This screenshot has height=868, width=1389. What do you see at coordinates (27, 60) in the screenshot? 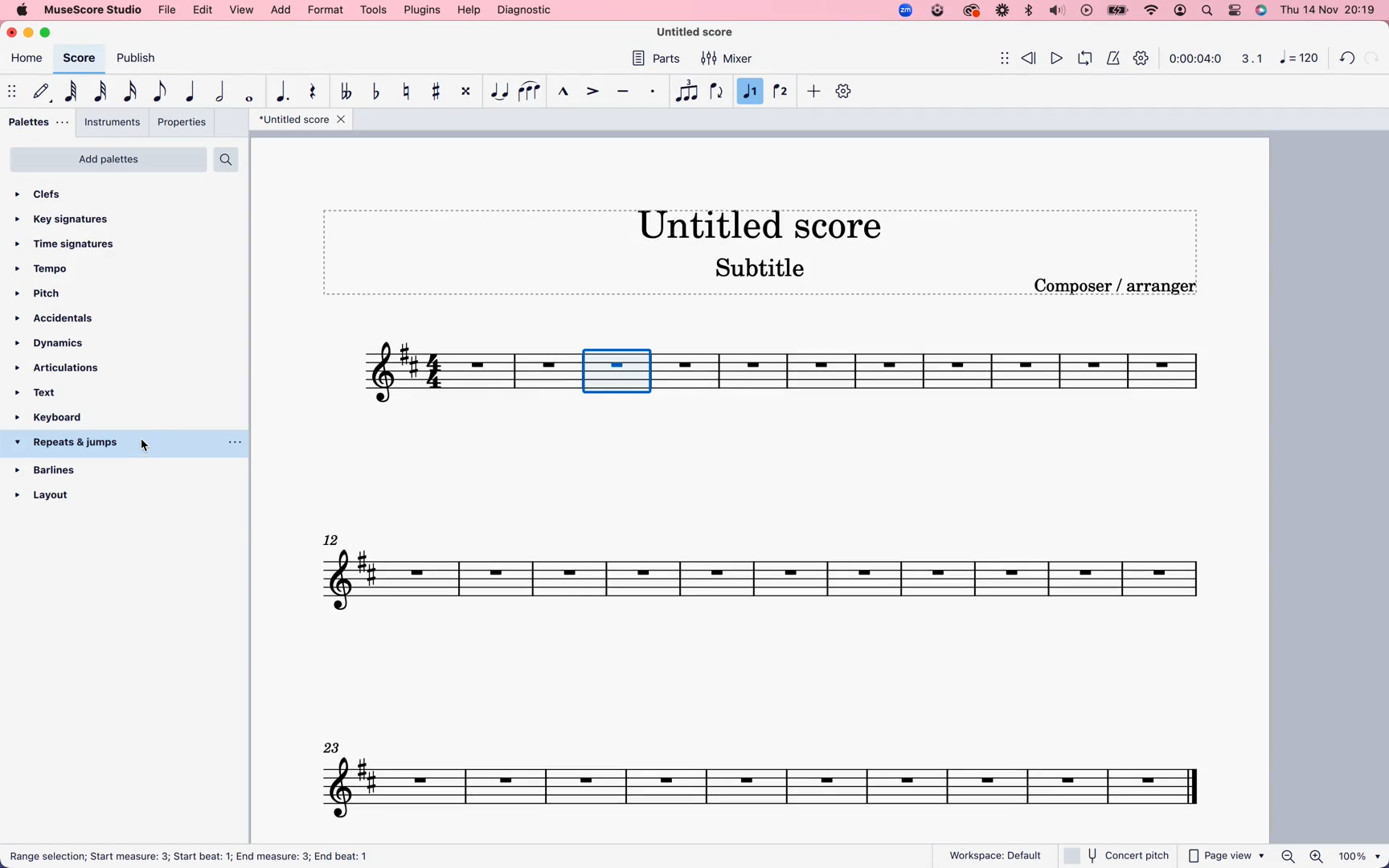
I see `home` at bounding box center [27, 60].